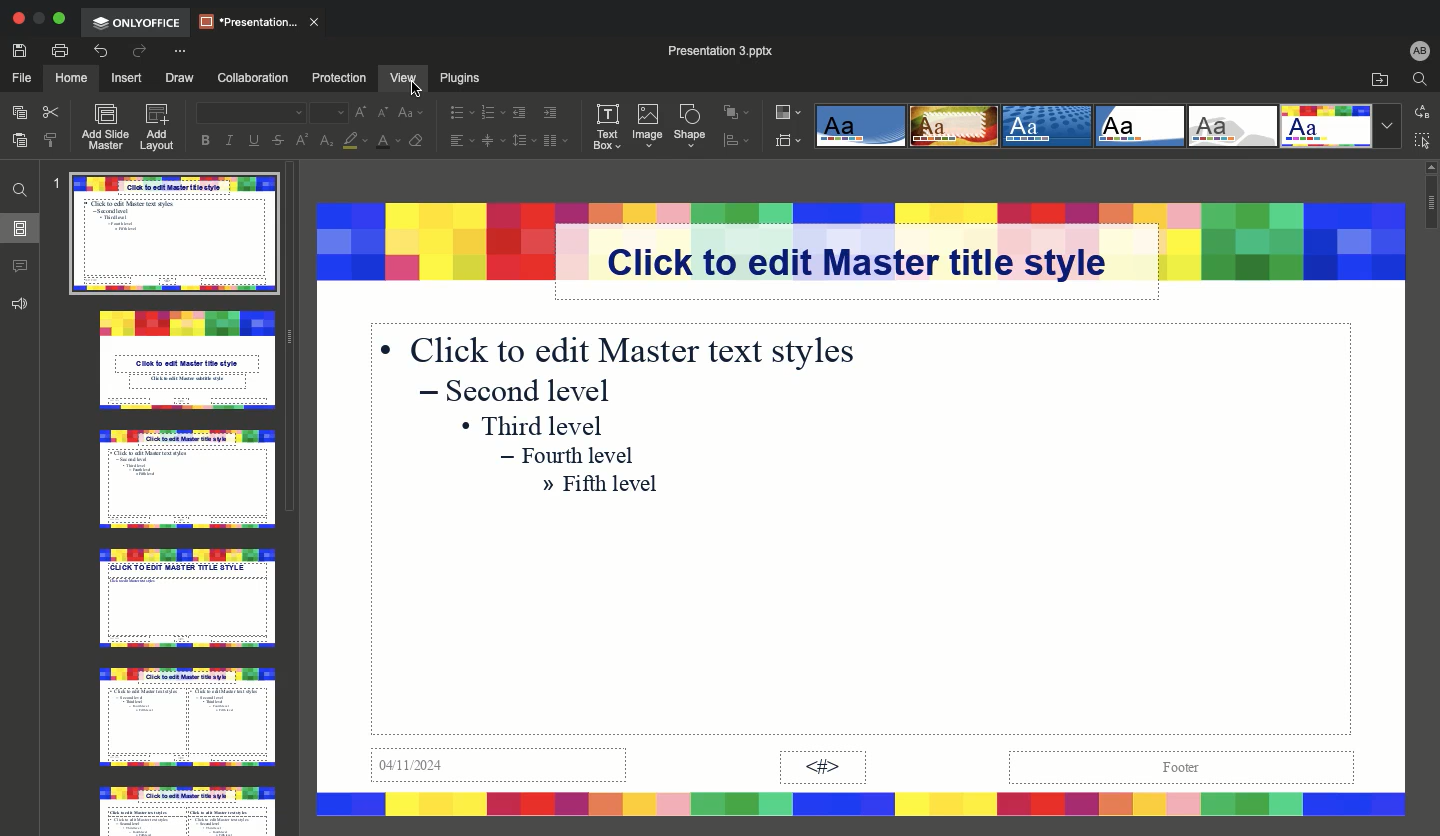 The width and height of the screenshot is (1440, 836). Describe the element at coordinates (1376, 79) in the screenshot. I see `Open file location` at that location.